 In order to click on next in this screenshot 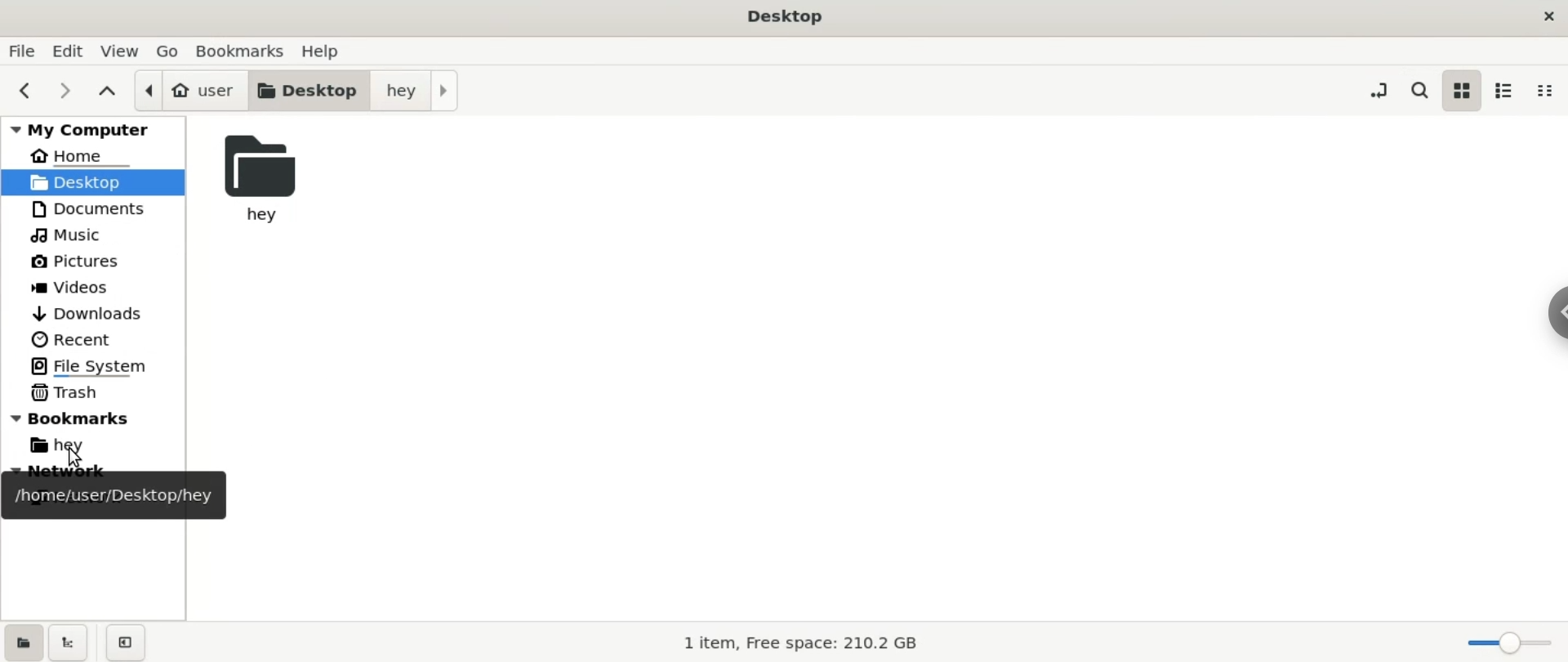, I will do `click(64, 92)`.